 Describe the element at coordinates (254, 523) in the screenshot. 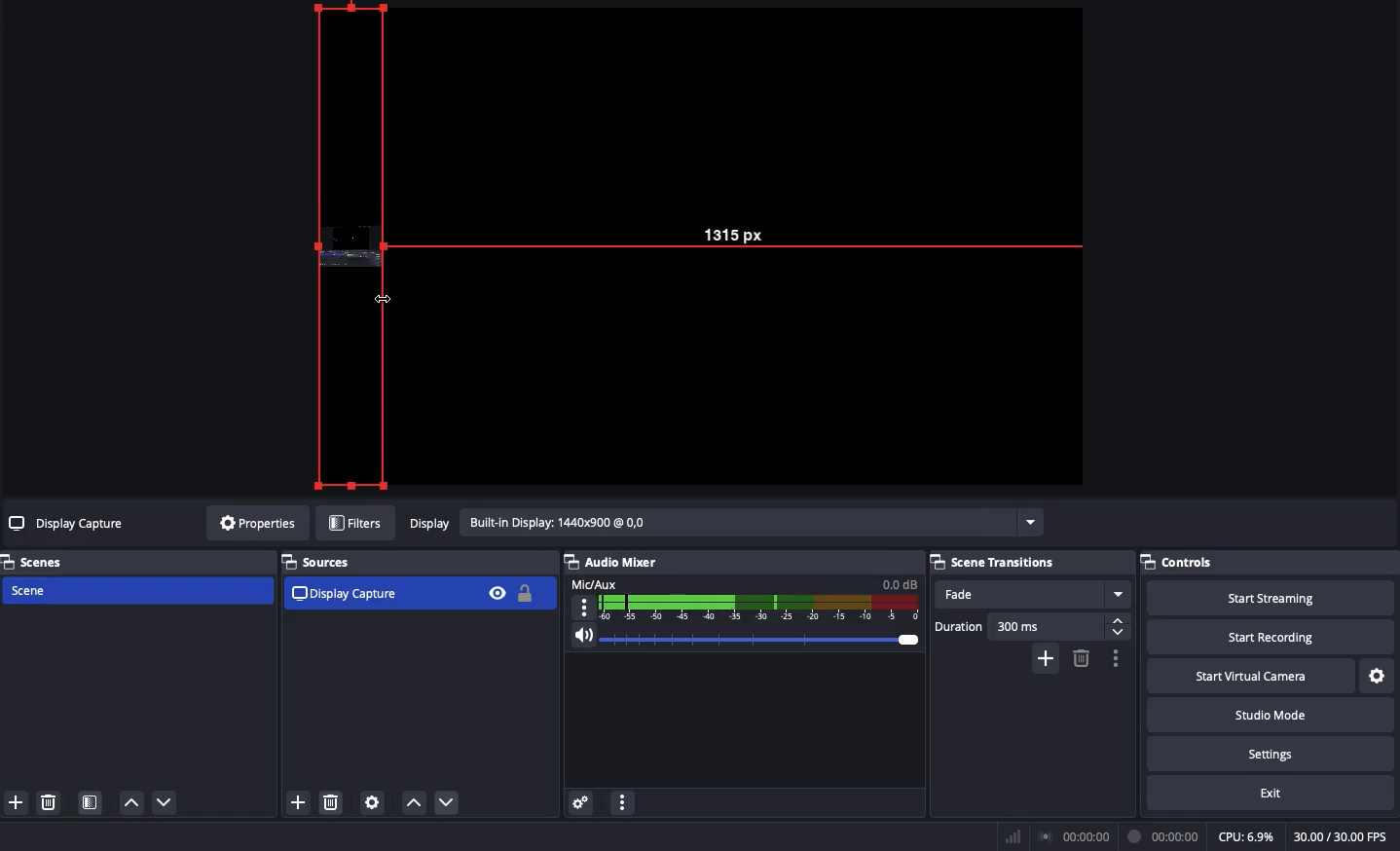

I see `Properties` at that location.